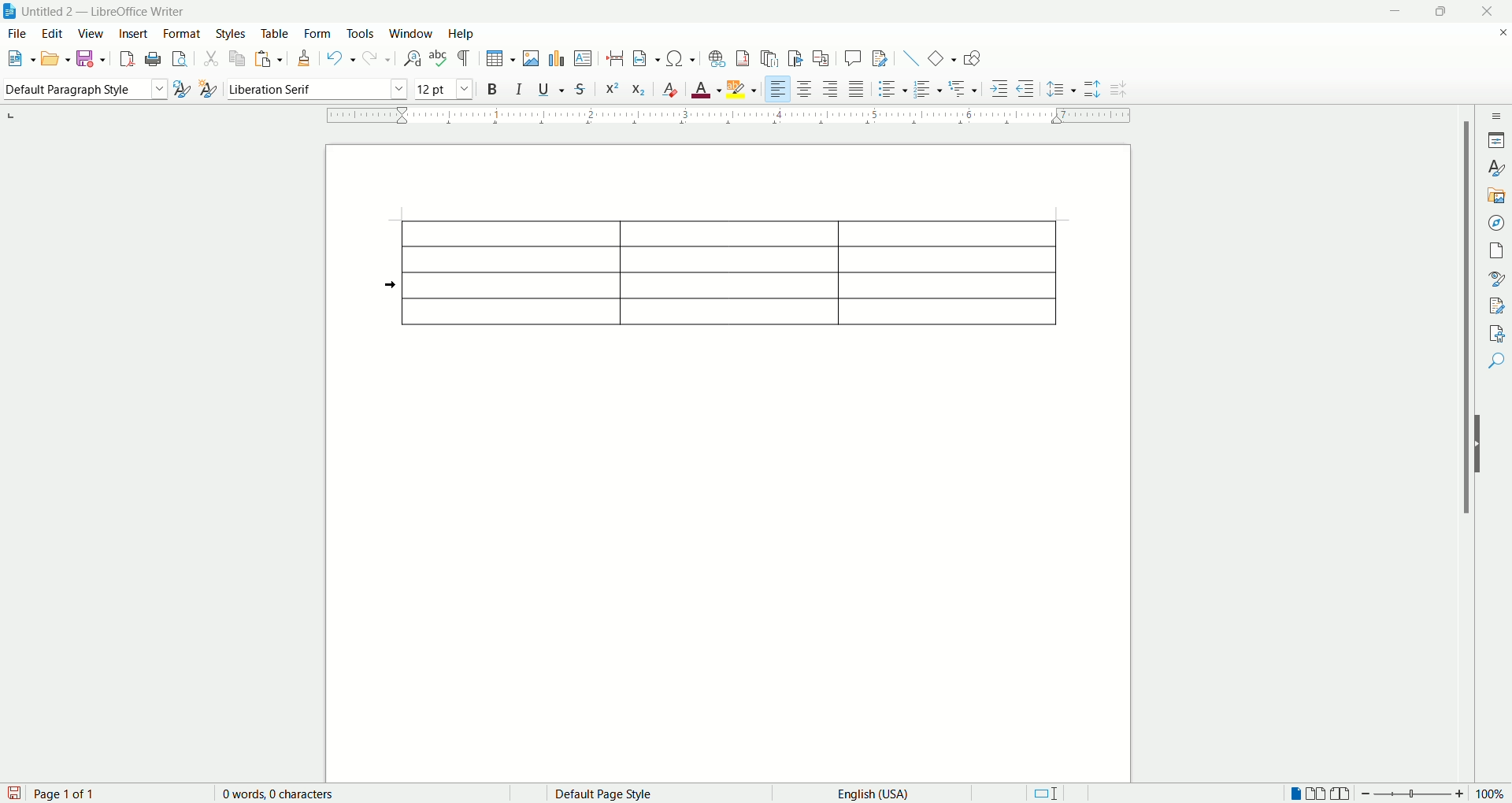  I want to click on insert table, so click(500, 59).